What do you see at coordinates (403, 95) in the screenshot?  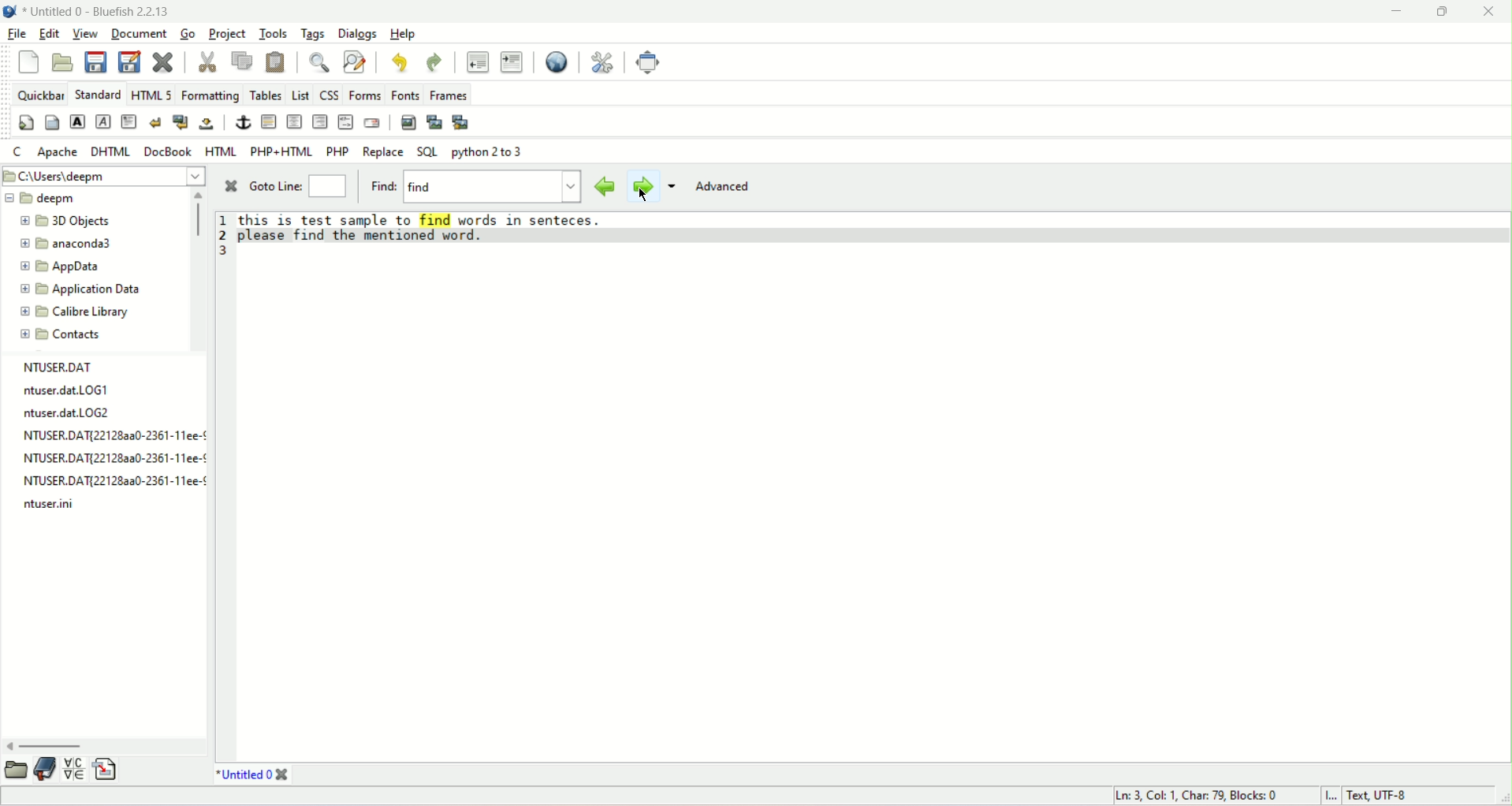 I see `fonts` at bounding box center [403, 95].